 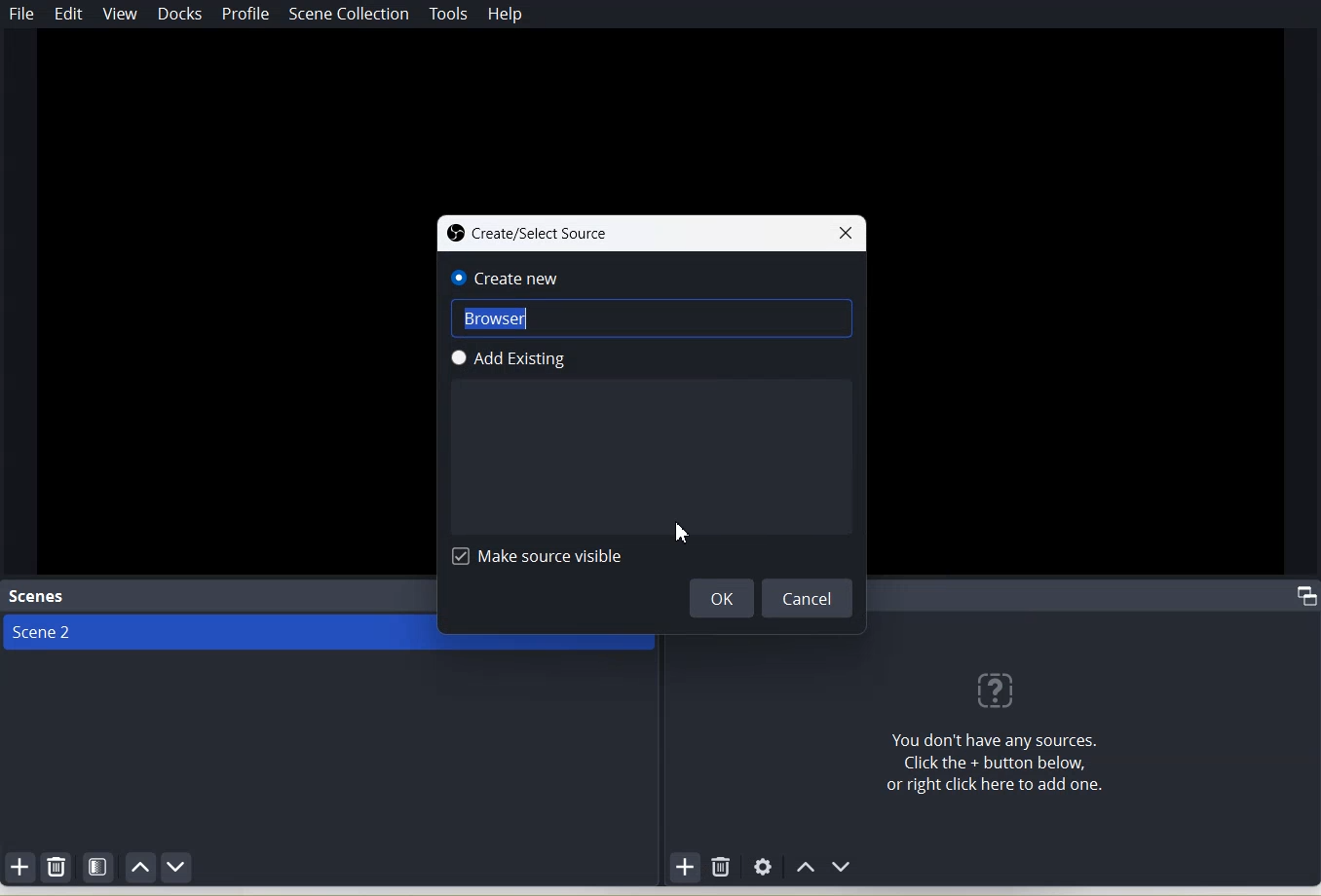 What do you see at coordinates (989, 724) in the screenshot?
I see `You don't have any sources.
Click the + button below,
or right click here to add one.` at bounding box center [989, 724].